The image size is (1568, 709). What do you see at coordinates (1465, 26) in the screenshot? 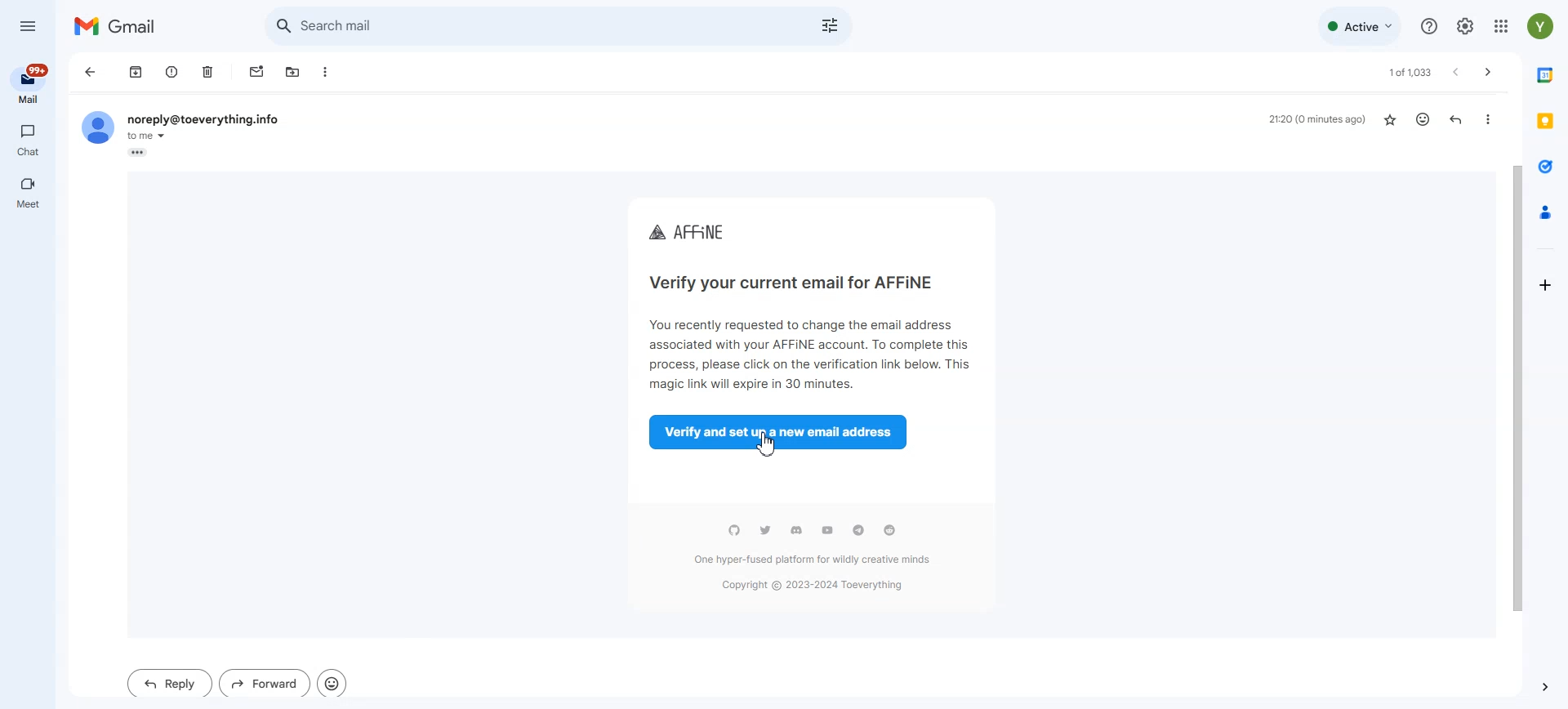
I see `Setting` at bounding box center [1465, 26].